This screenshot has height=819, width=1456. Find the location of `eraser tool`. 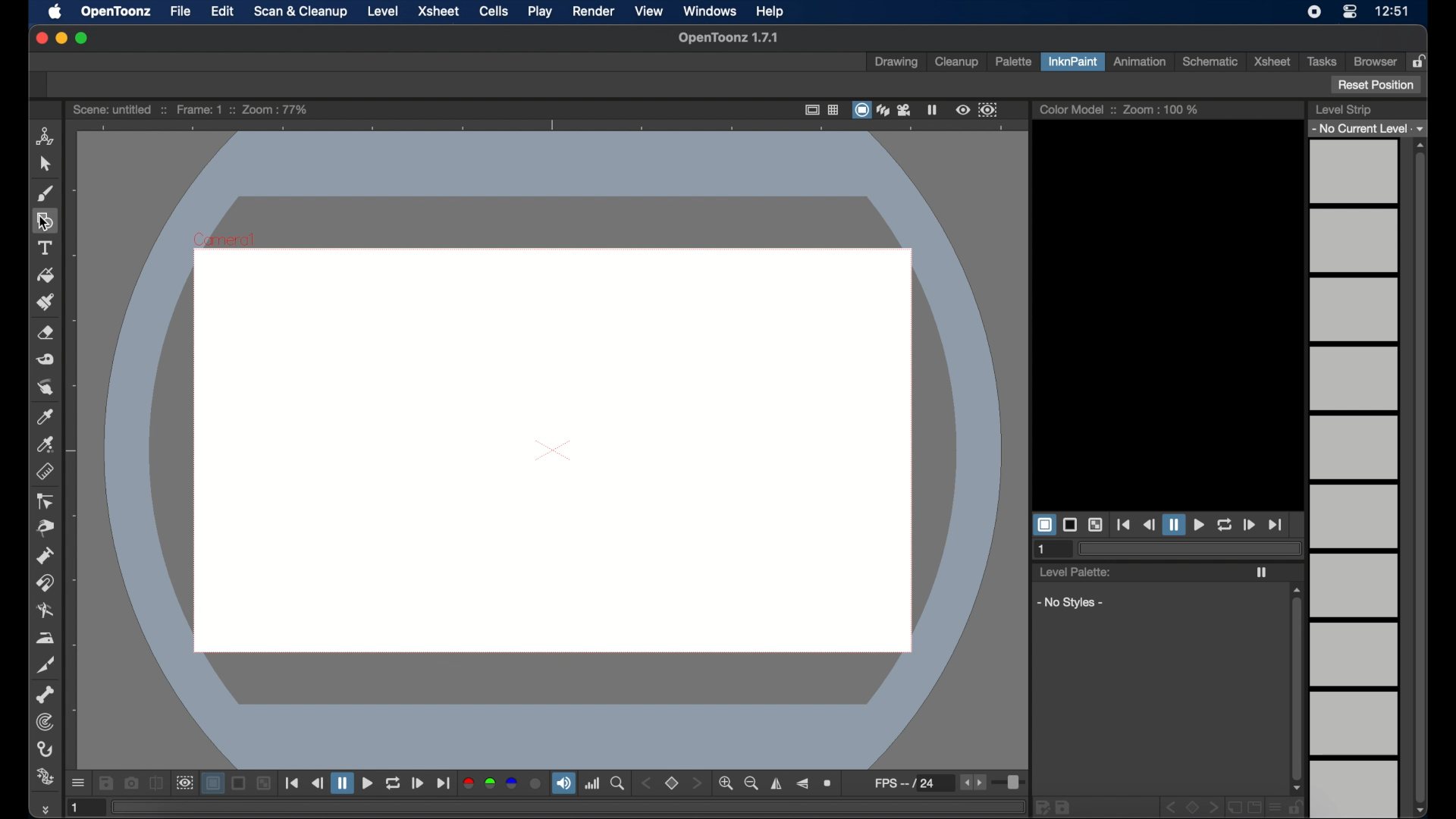

eraser tool is located at coordinates (45, 333).